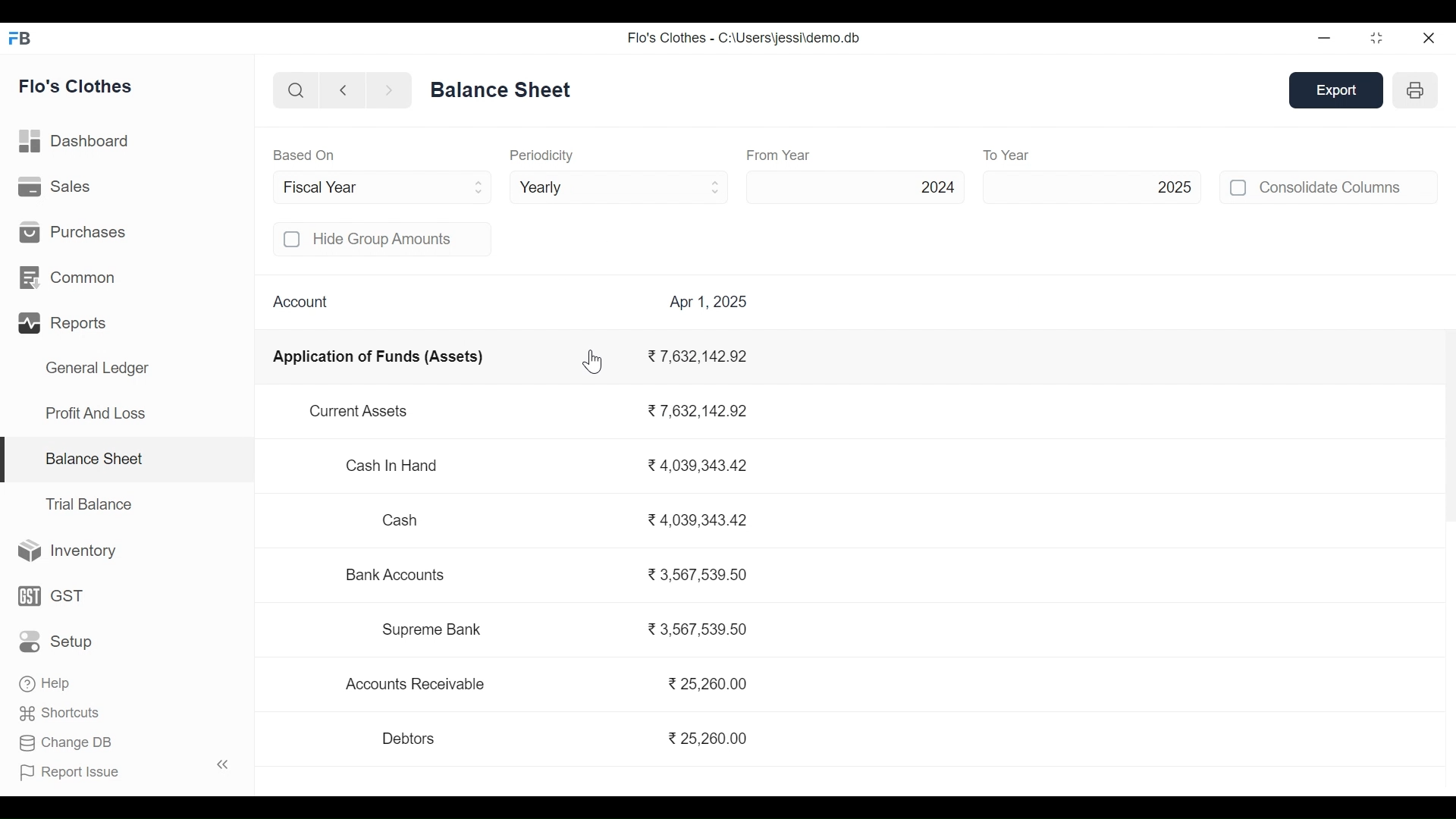 The image size is (1456, 819). I want to click on «, so click(223, 764).